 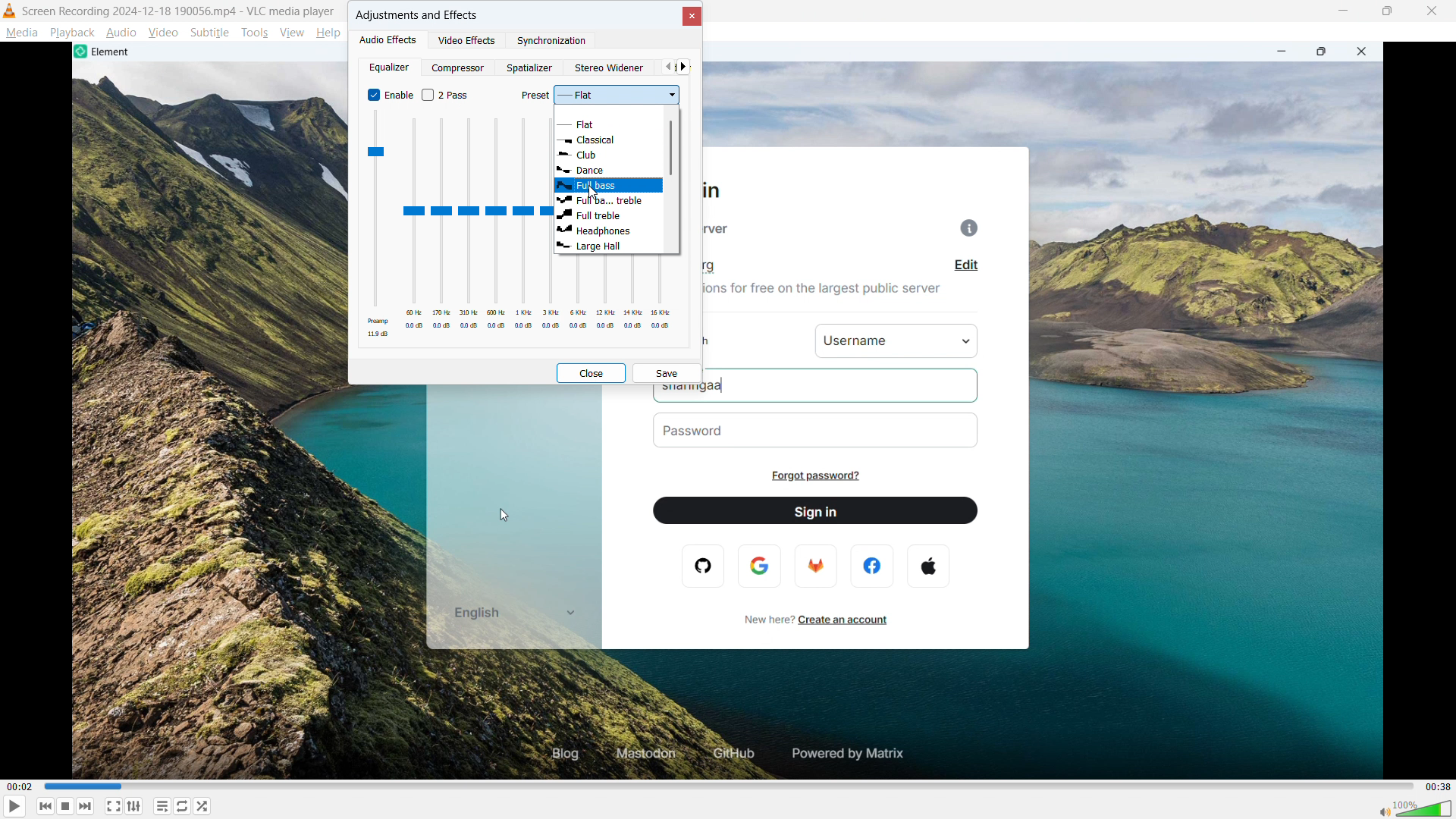 What do you see at coordinates (165, 806) in the screenshot?
I see `Toggle playlist ` at bounding box center [165, 806].